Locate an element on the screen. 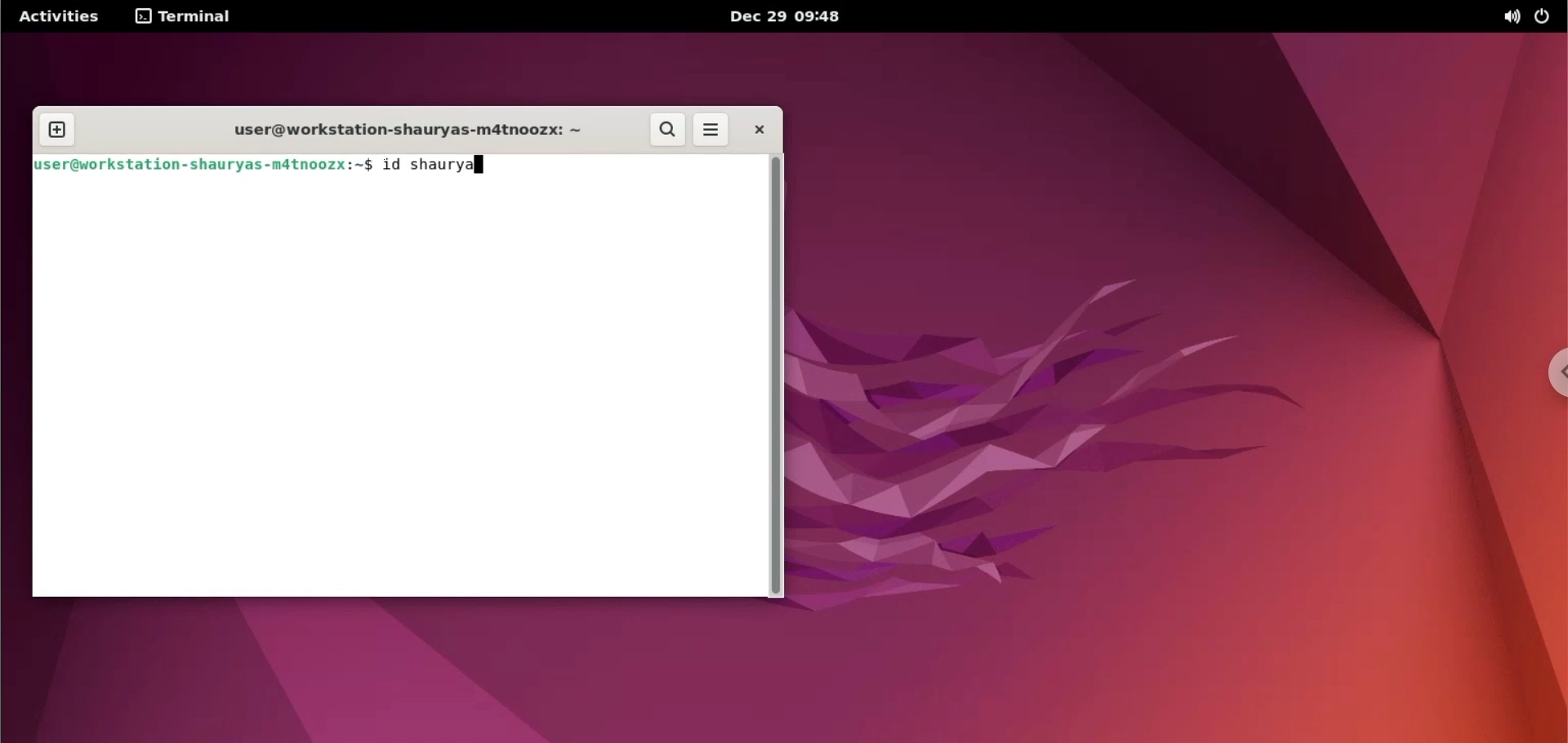 This screenshot has width=1568, height=743. chrome options is located at coordinates (1545, 380).